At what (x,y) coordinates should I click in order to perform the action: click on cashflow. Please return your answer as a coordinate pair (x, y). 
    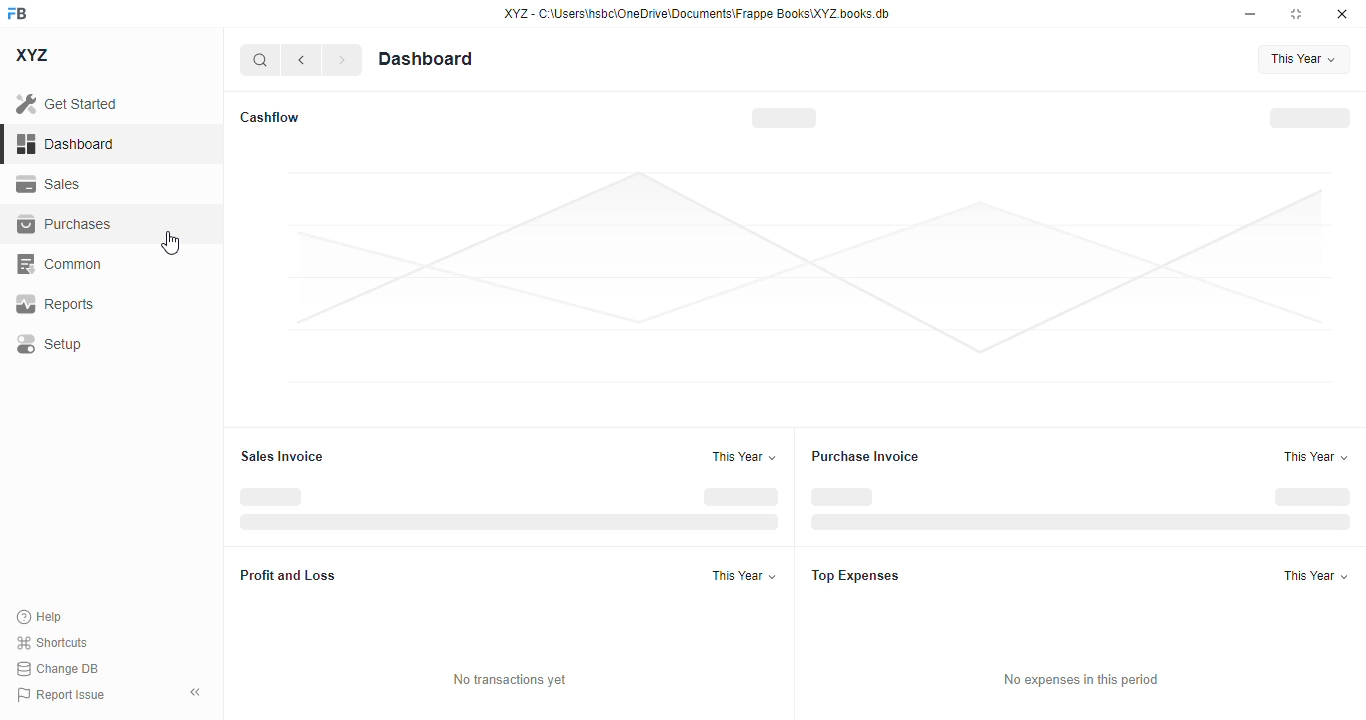
    Looking at the image, I should click on (269, 117).